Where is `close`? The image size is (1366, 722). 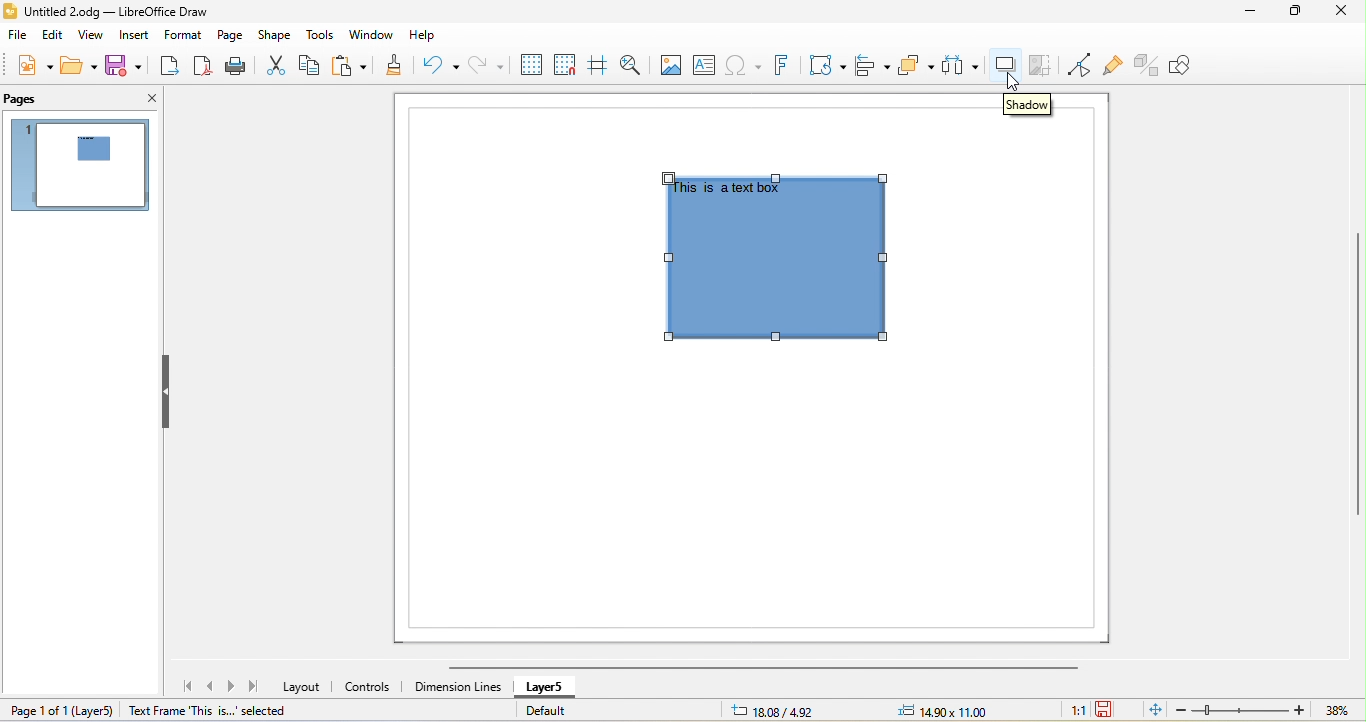
close is located at coordinates (143, 96).